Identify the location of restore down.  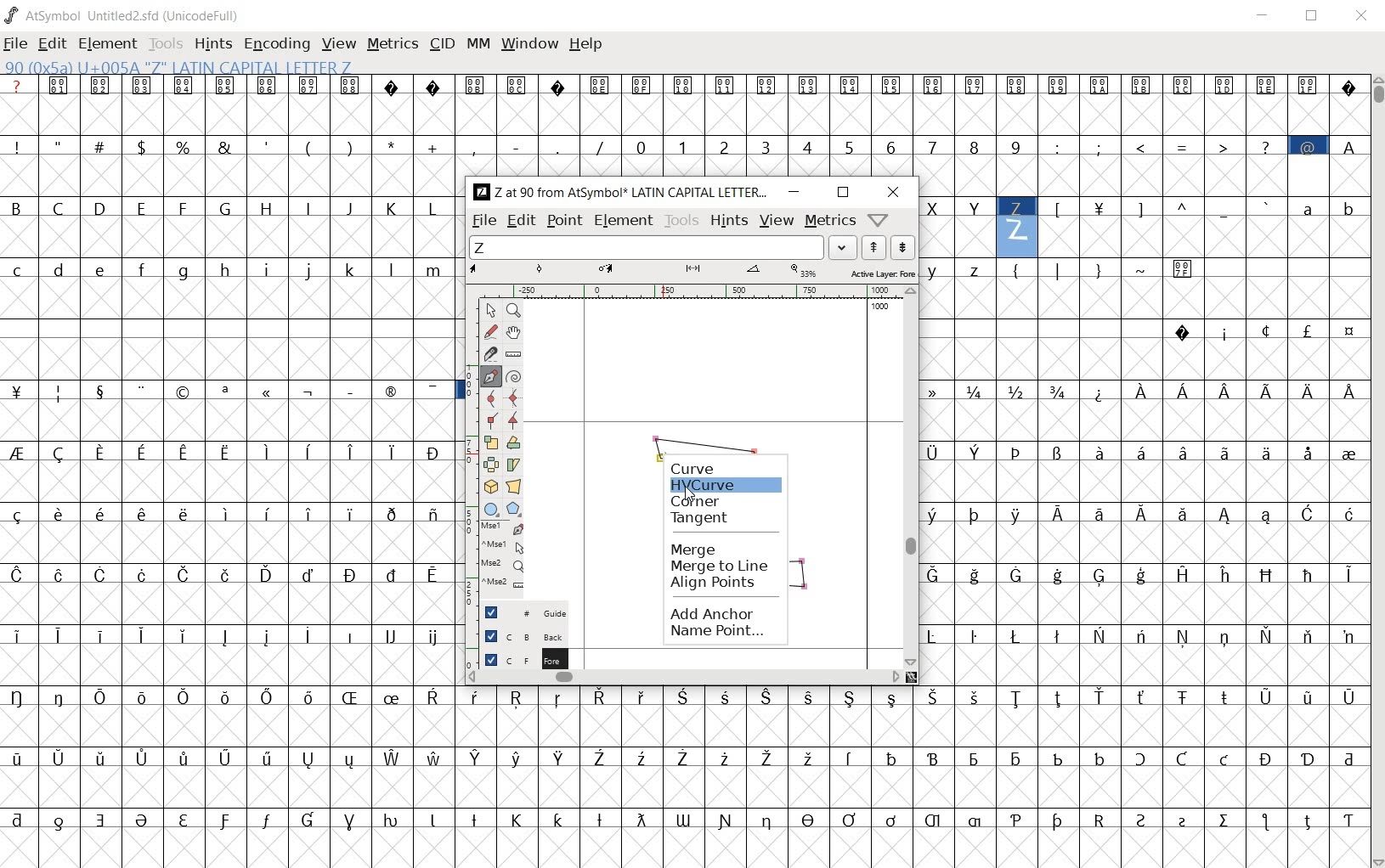
(1314, 18).